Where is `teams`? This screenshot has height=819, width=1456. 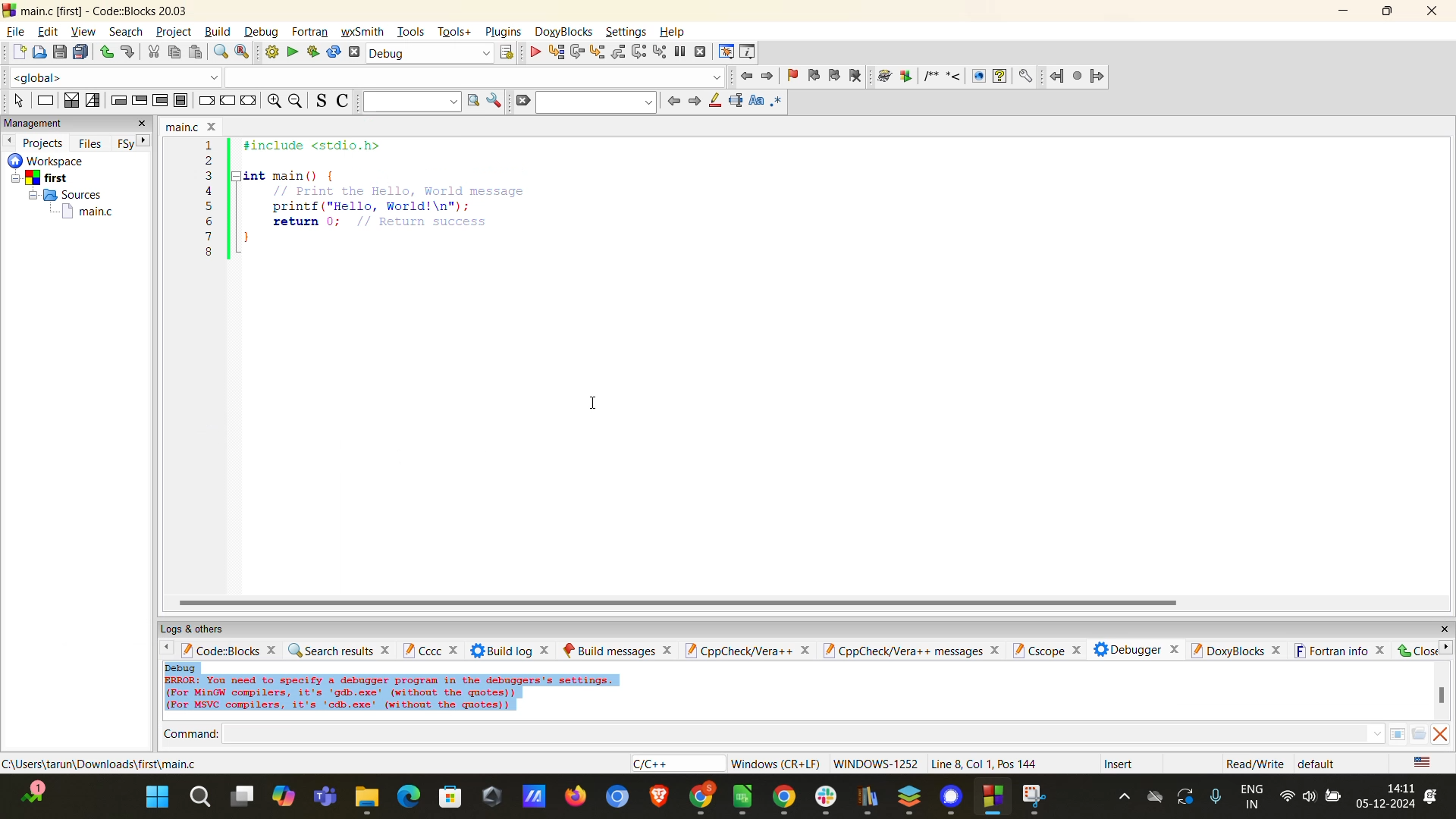 teams is located at coordinates (326, 796).